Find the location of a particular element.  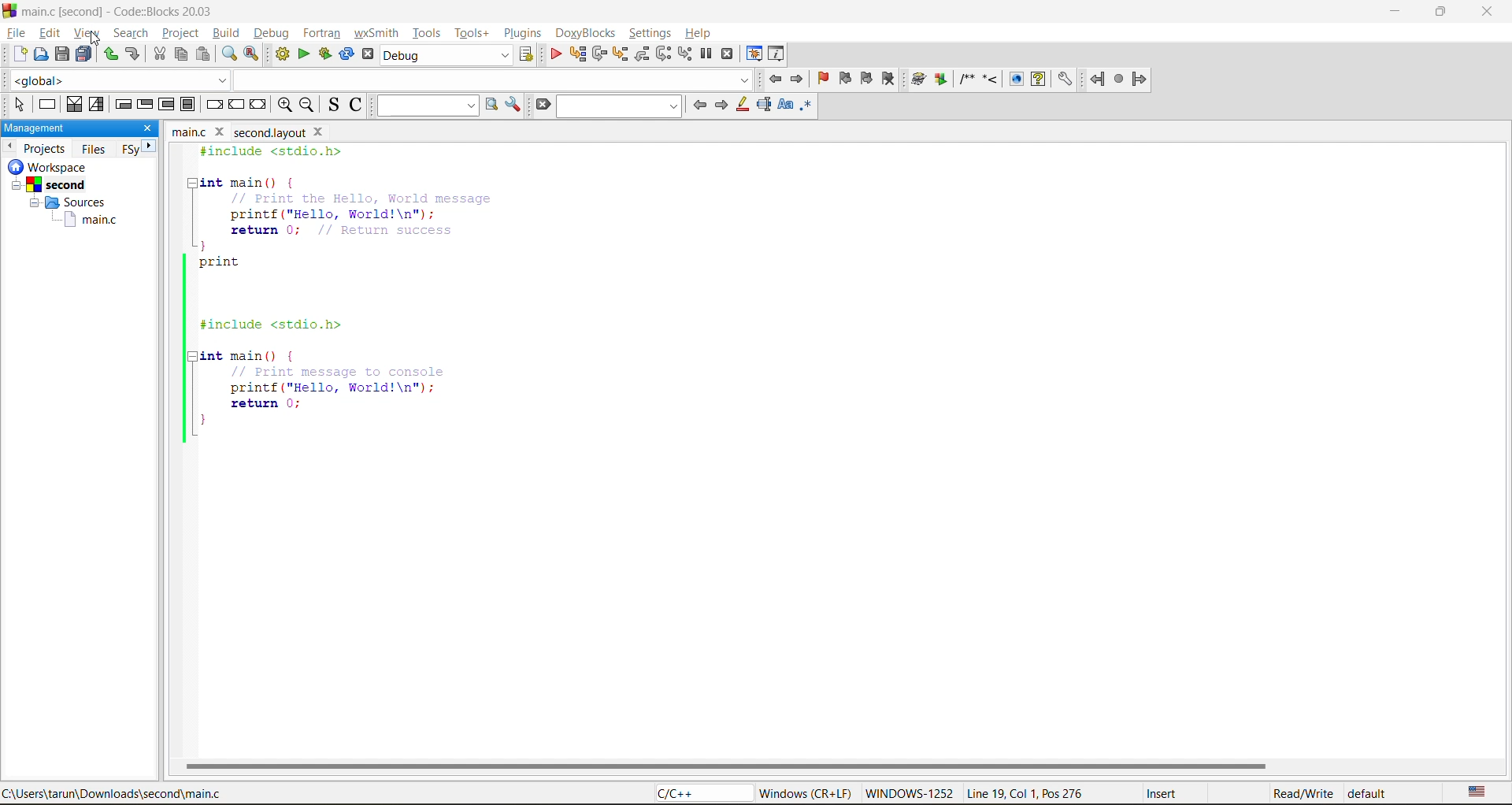

redo is located at coordinates (135, 54).